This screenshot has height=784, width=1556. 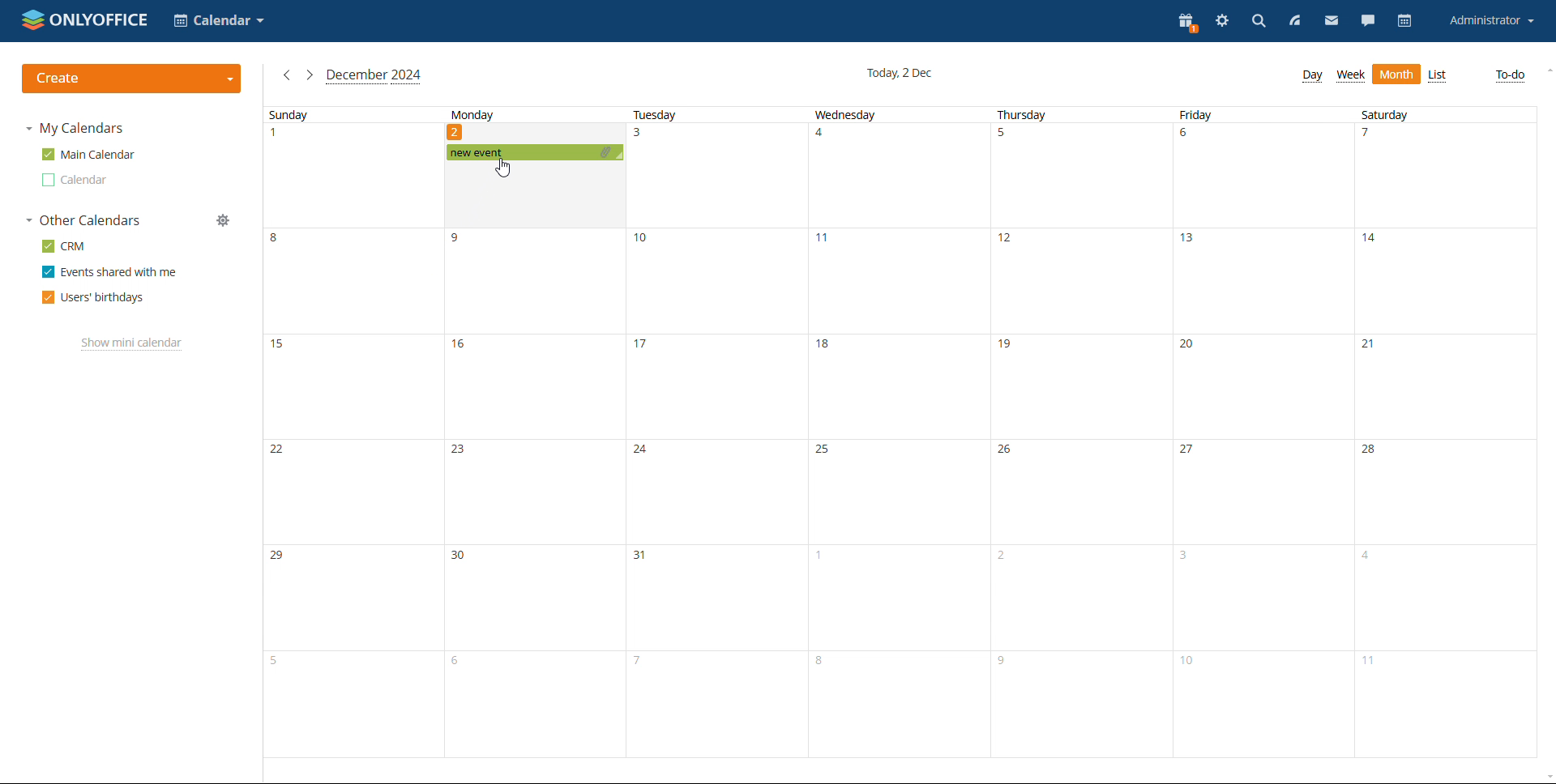 I want to click on 11, so click(x=1374, y=667).